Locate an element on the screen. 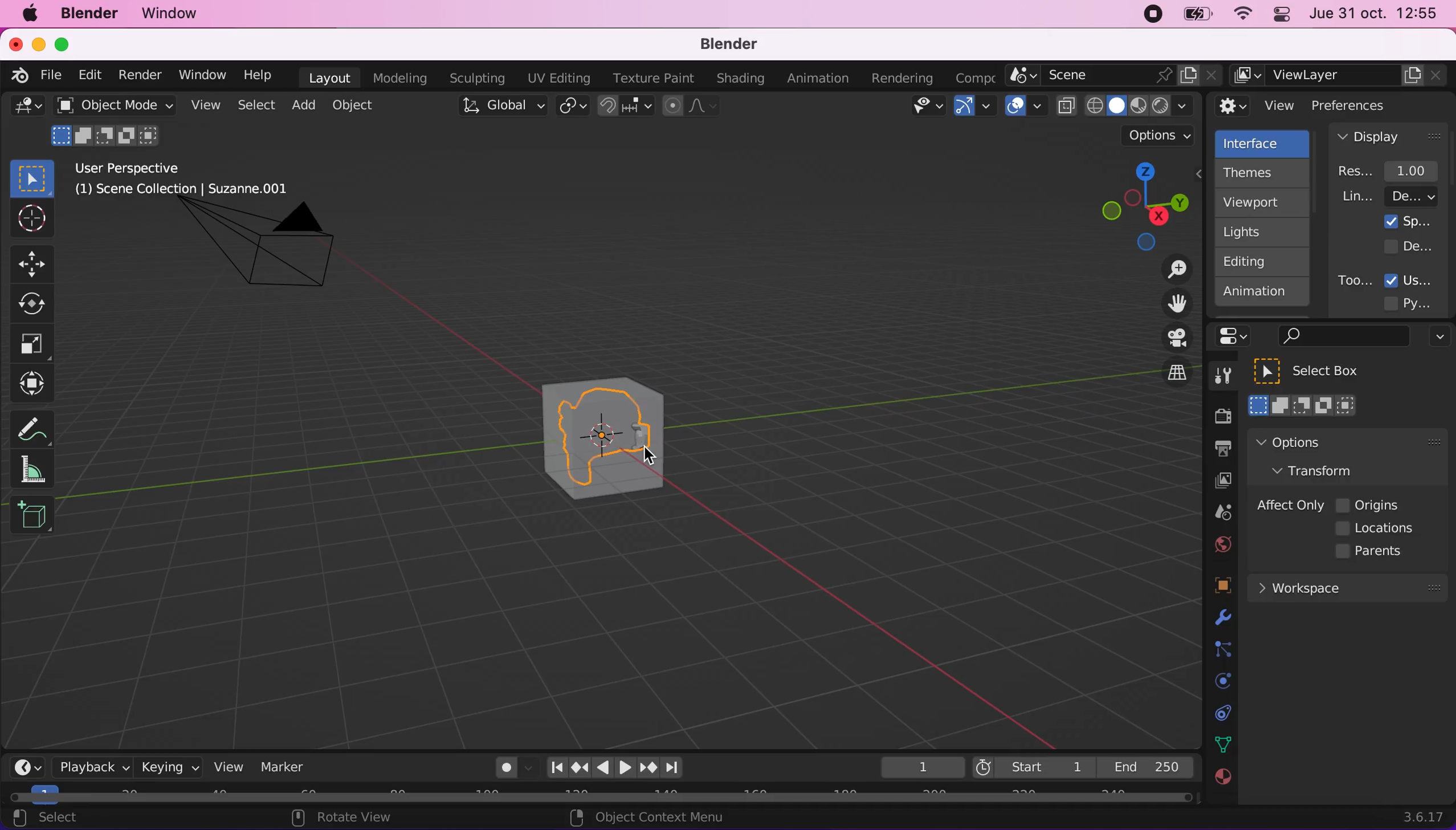  developer extras is located at coordinates (1410, 246).